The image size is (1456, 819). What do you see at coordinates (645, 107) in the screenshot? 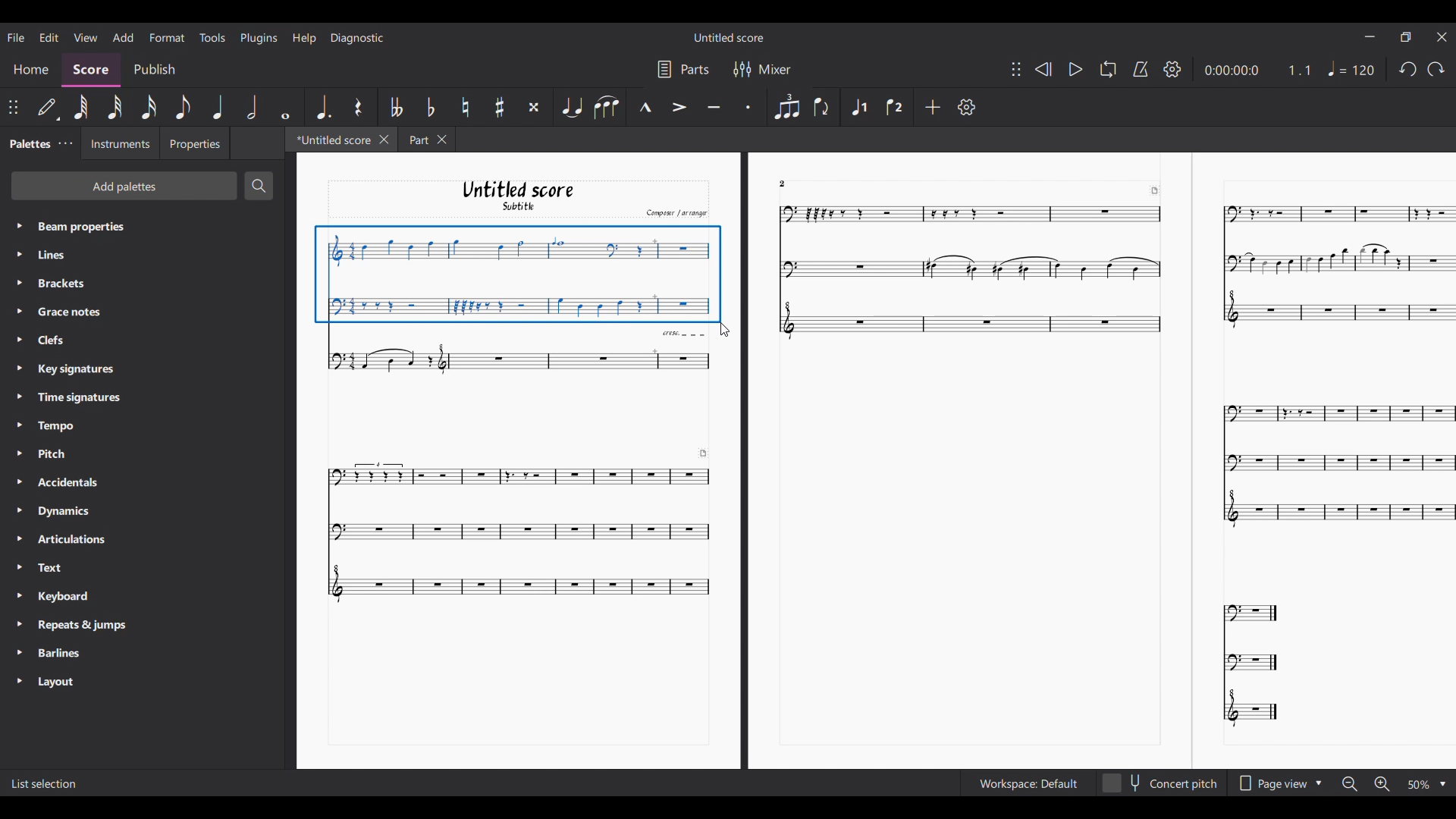
I see `Marcato` at bounding box center [645, 107].